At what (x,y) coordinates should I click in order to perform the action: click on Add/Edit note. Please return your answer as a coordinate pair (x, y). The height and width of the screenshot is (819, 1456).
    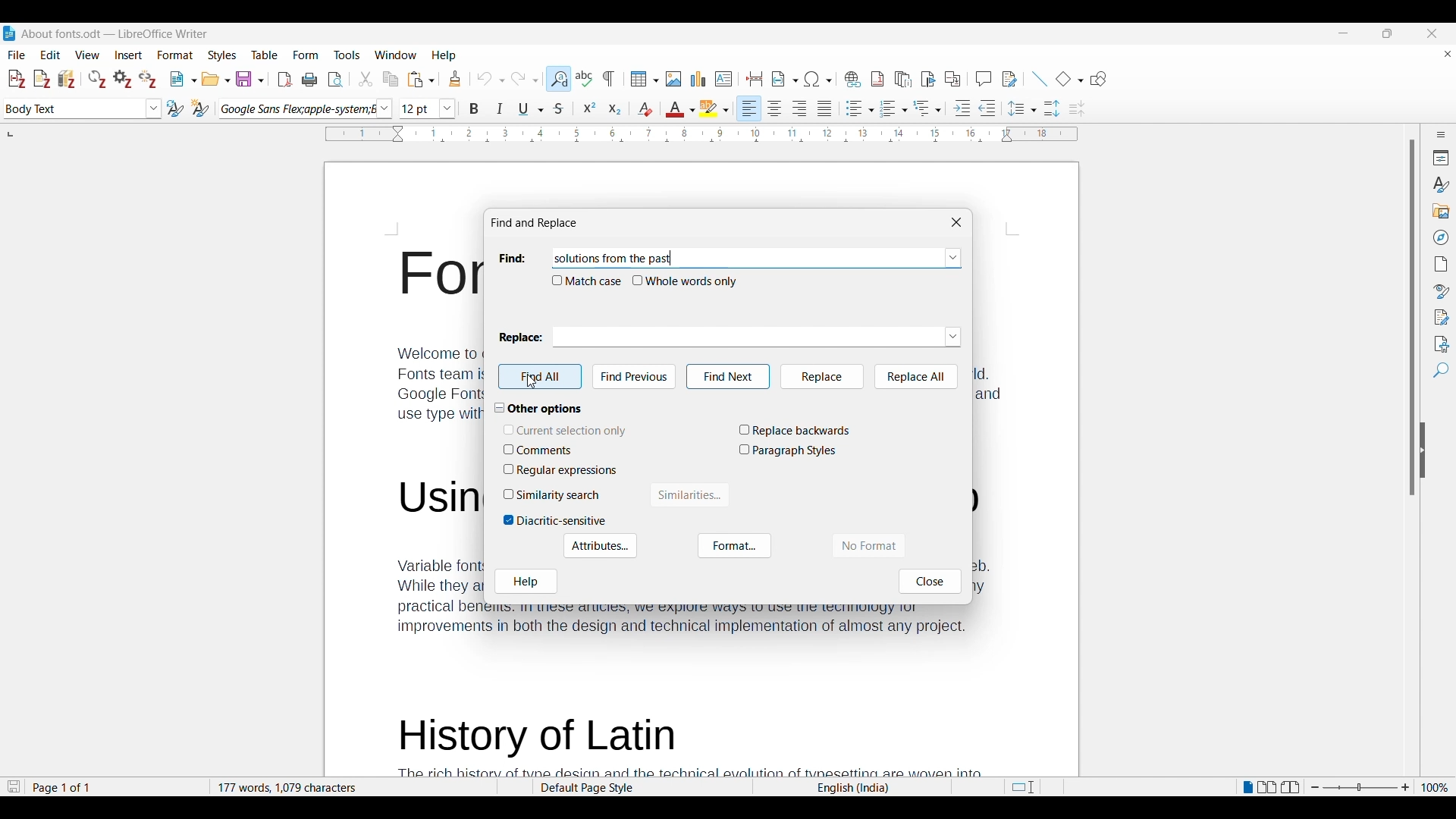
    Looking at the image, I should click on (42, 79).